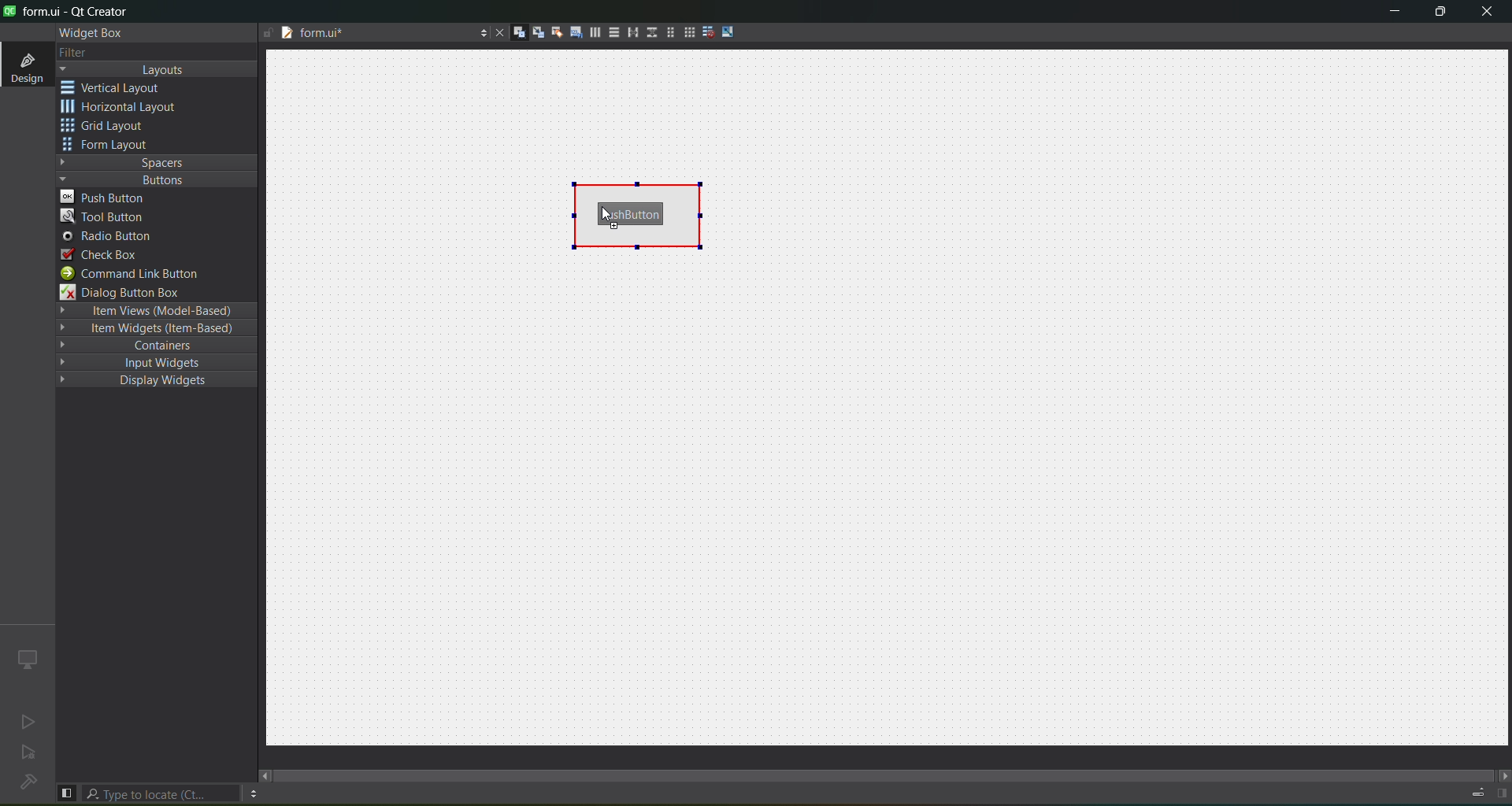 The image size is (1512, 806). What do you see at coordinates (26, 658) in the screenshot?
I see `icon` at bounding box center [26, 658].